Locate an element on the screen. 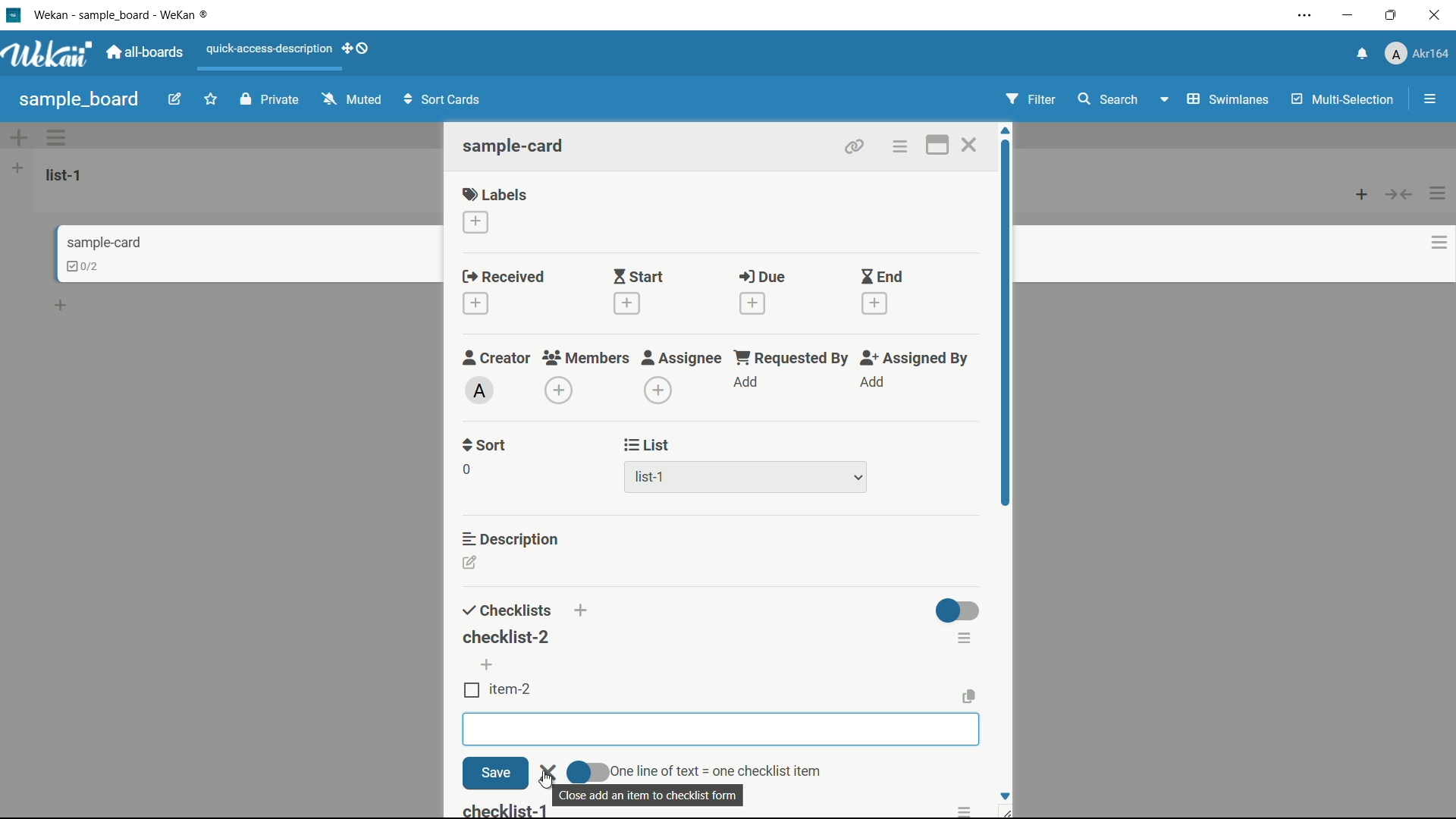 The image size is (1456, 819). sort cards is located at coordinates (444, 101).